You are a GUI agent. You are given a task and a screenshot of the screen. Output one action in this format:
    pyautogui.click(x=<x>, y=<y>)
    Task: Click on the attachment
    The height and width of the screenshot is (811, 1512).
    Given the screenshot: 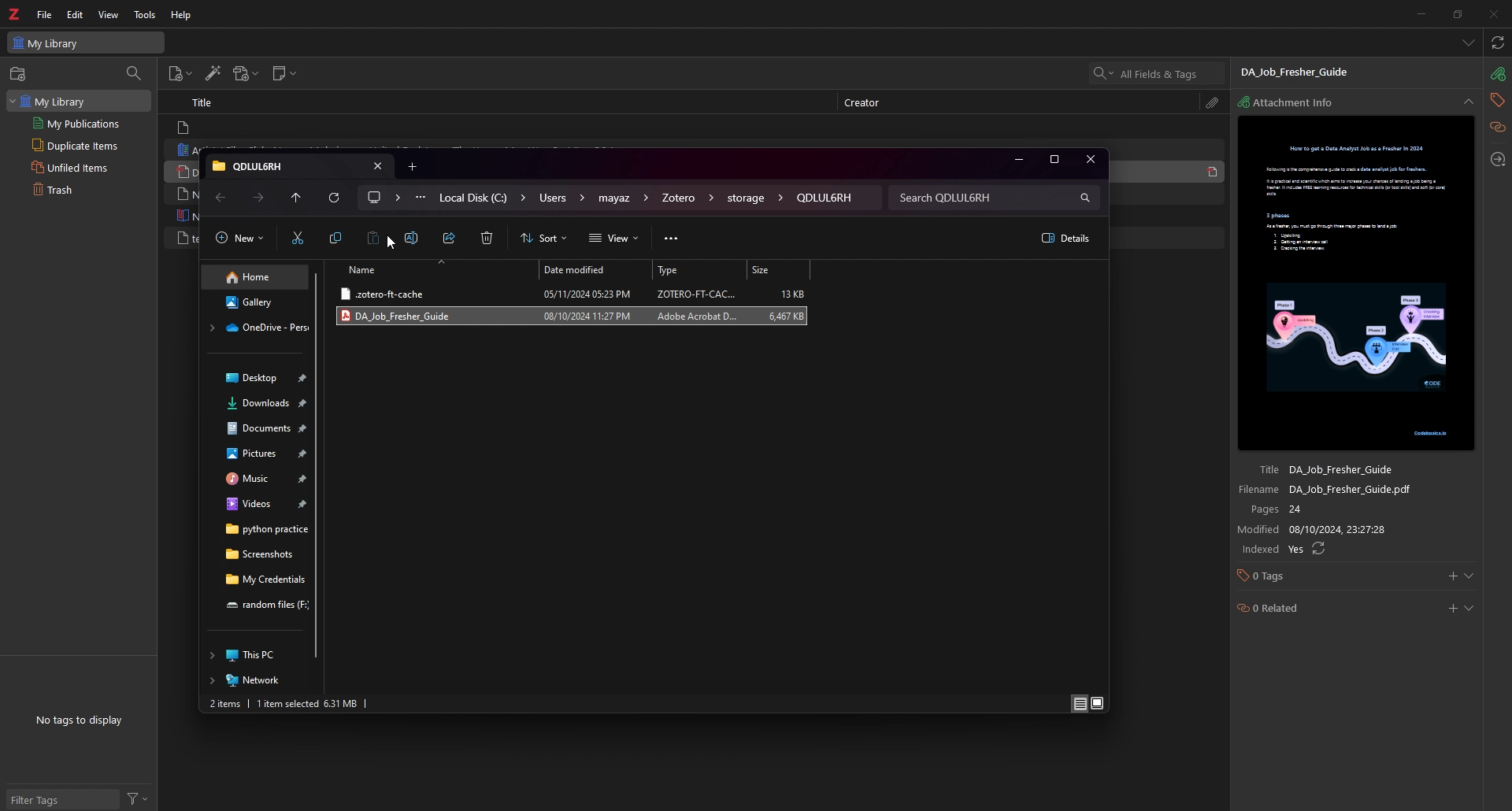 What is the action you would take?
    pyautogui.click(x=1215, y=102)
    